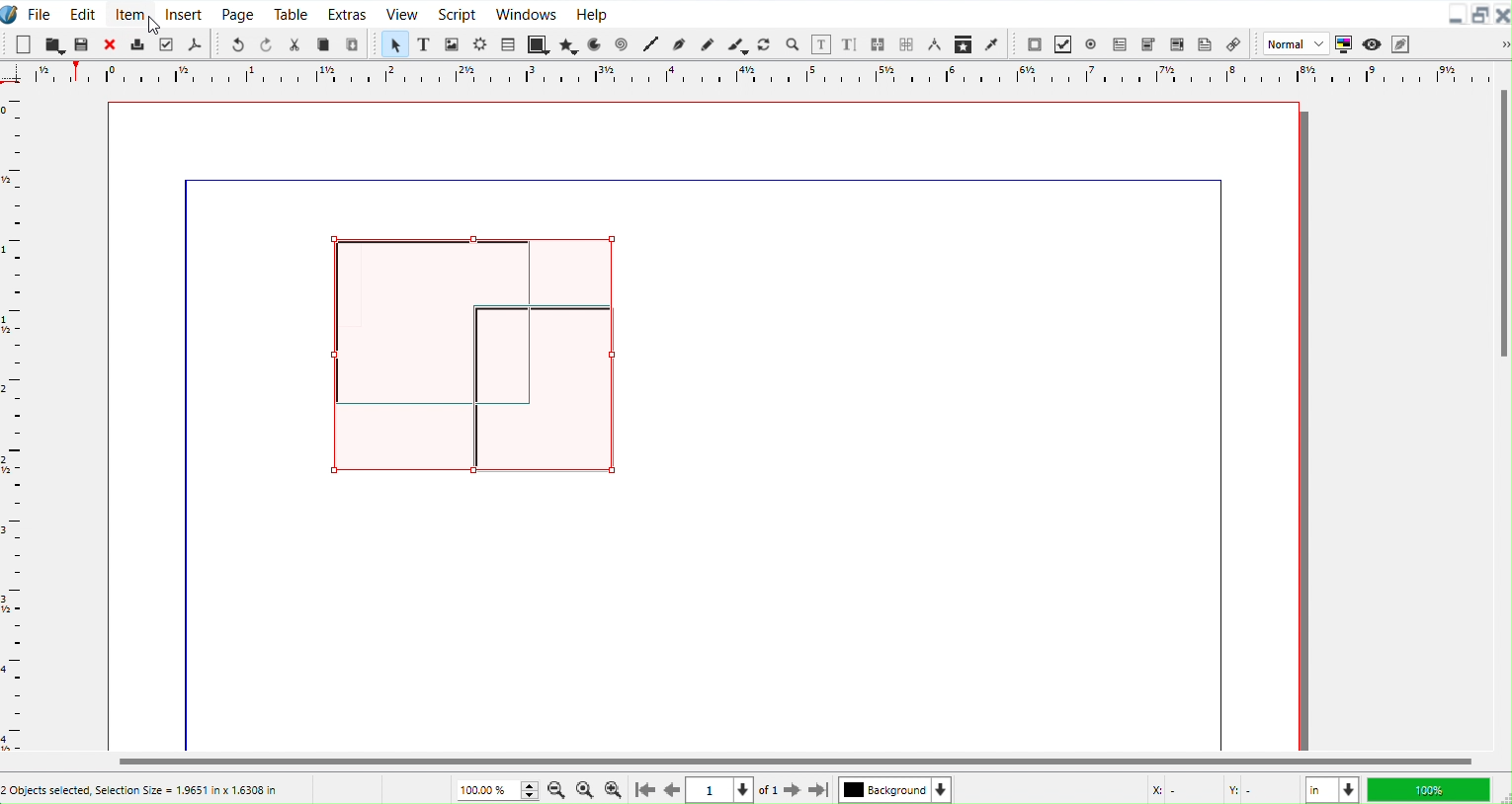  Describe the element at coordinates (400, 13) in the screenshot. I see `View` at that location.